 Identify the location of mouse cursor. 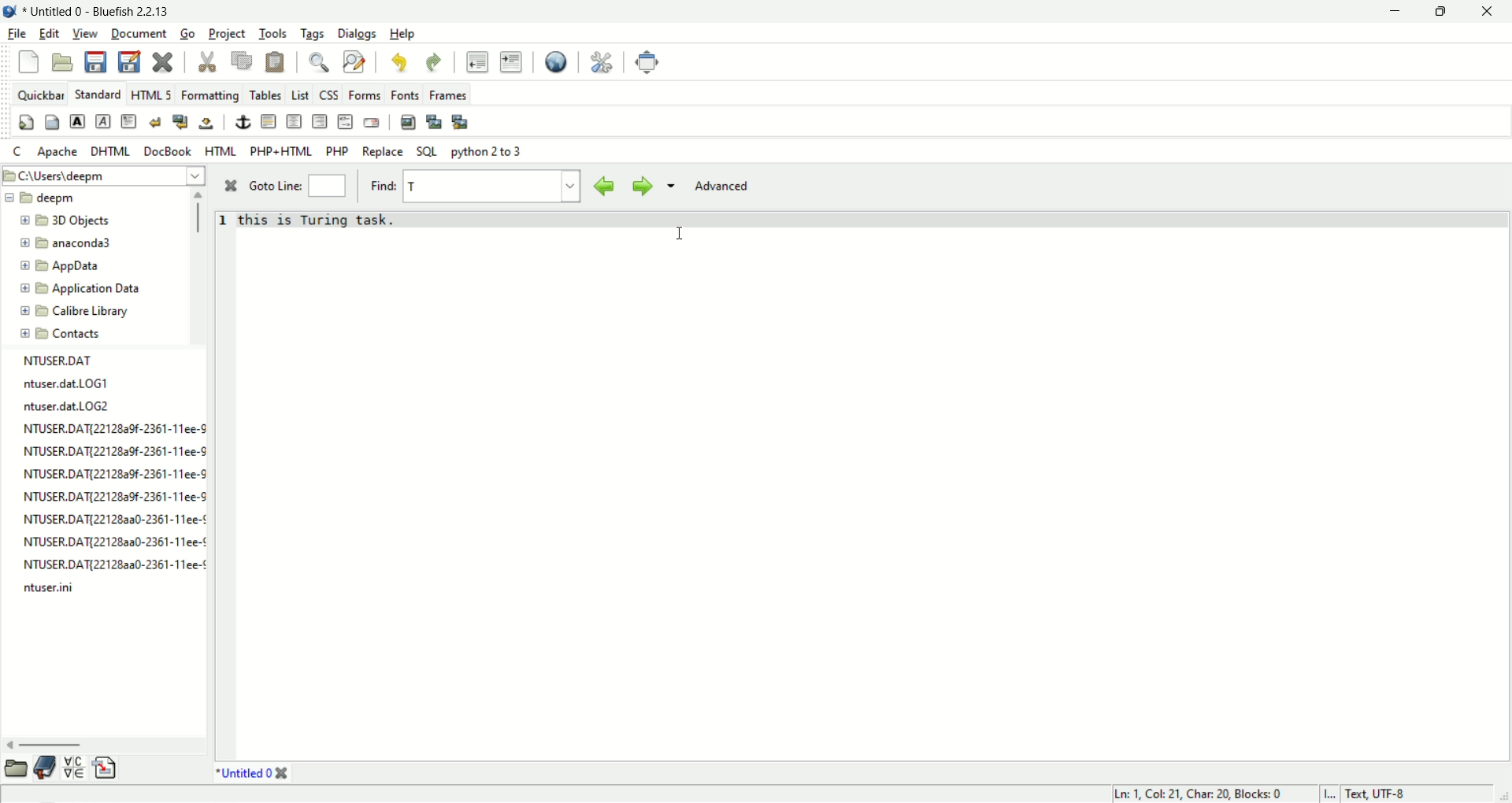
(683, 235).